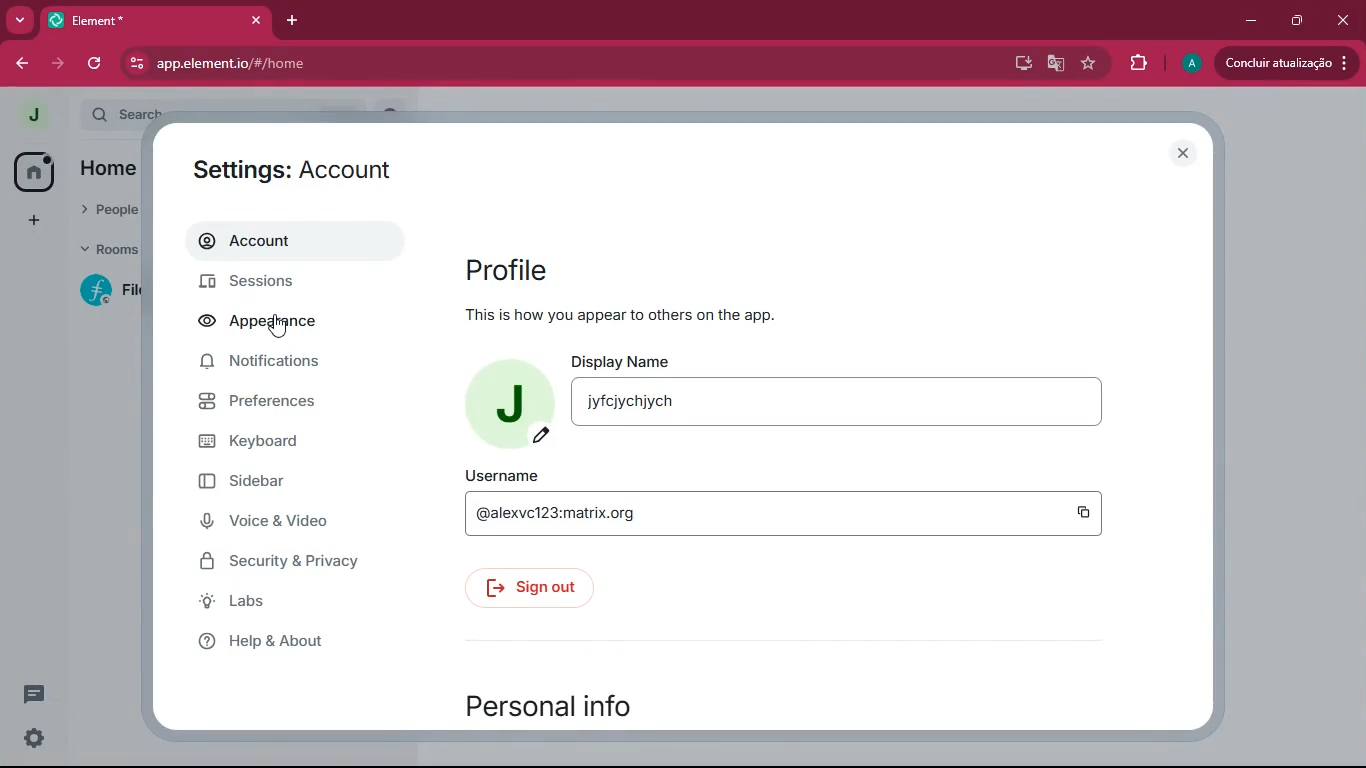 The width and height of the screenshot is (1366, 768). Describe the element at coordinates (1345, 22) in the screenshot. I see `close` at that location.